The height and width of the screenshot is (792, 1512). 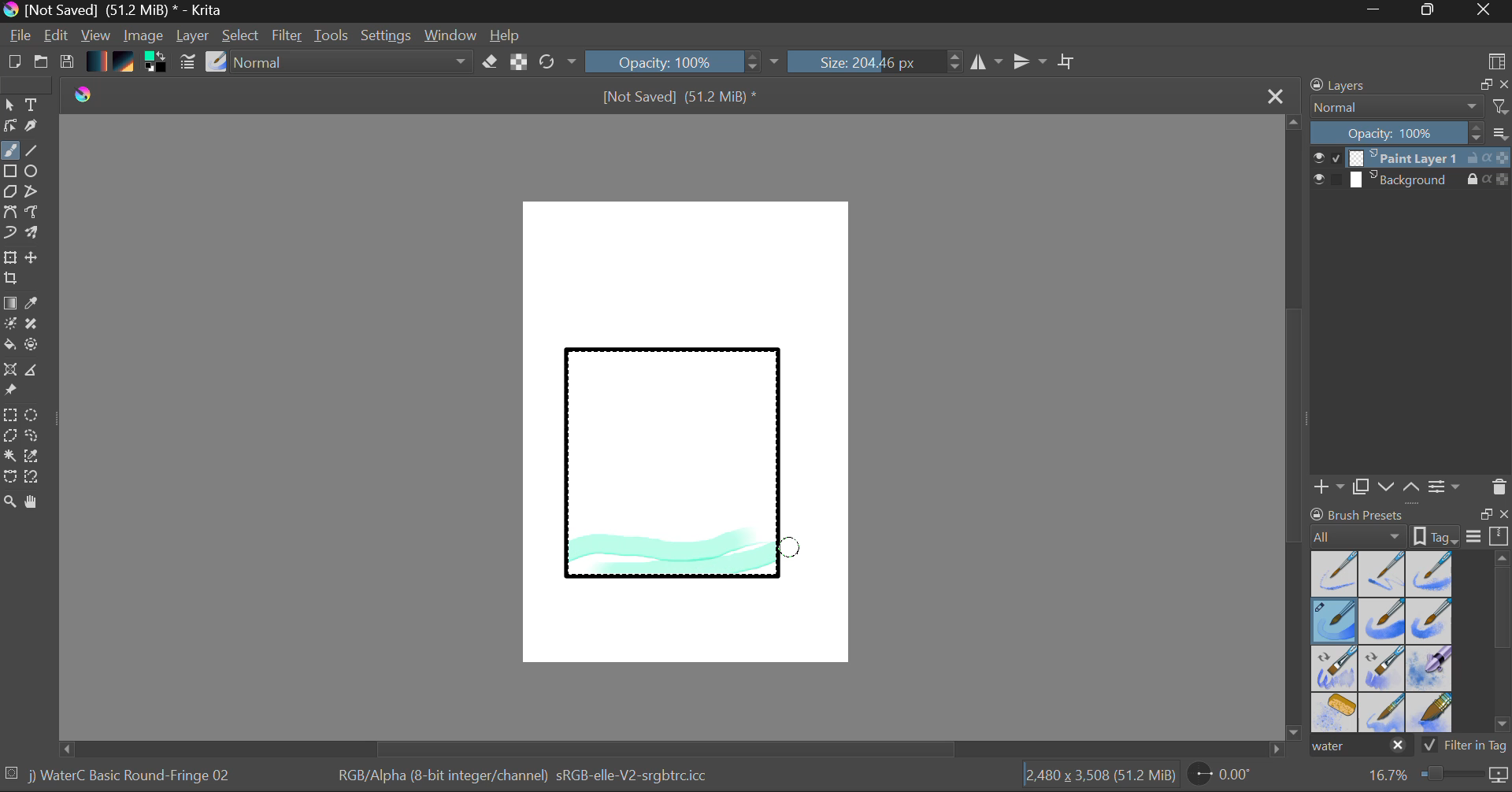 I want to click on Layer Opacity, so click(x=1412, y=134).